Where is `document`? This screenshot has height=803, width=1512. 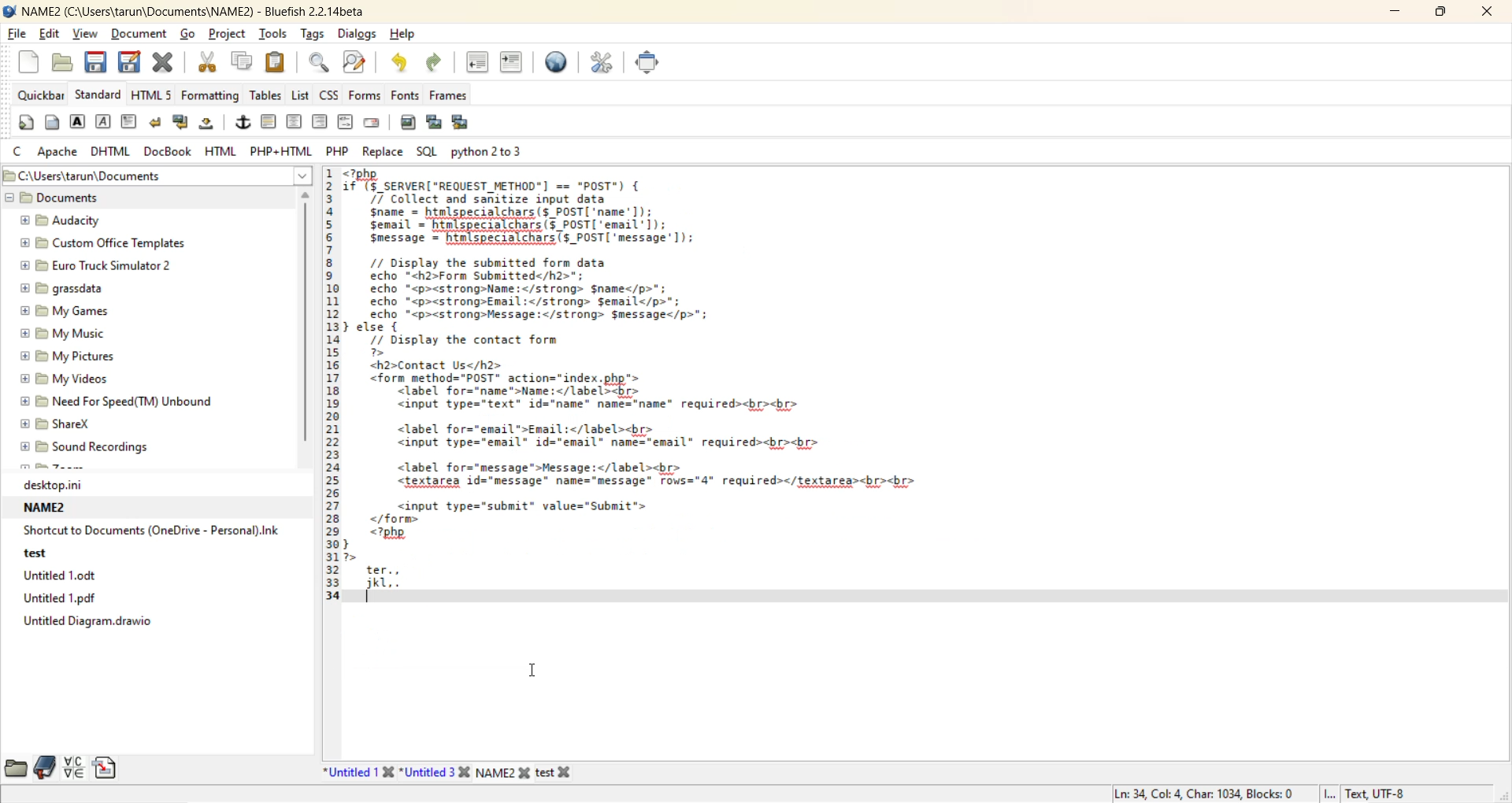 document is located at coordinates (143, 35).